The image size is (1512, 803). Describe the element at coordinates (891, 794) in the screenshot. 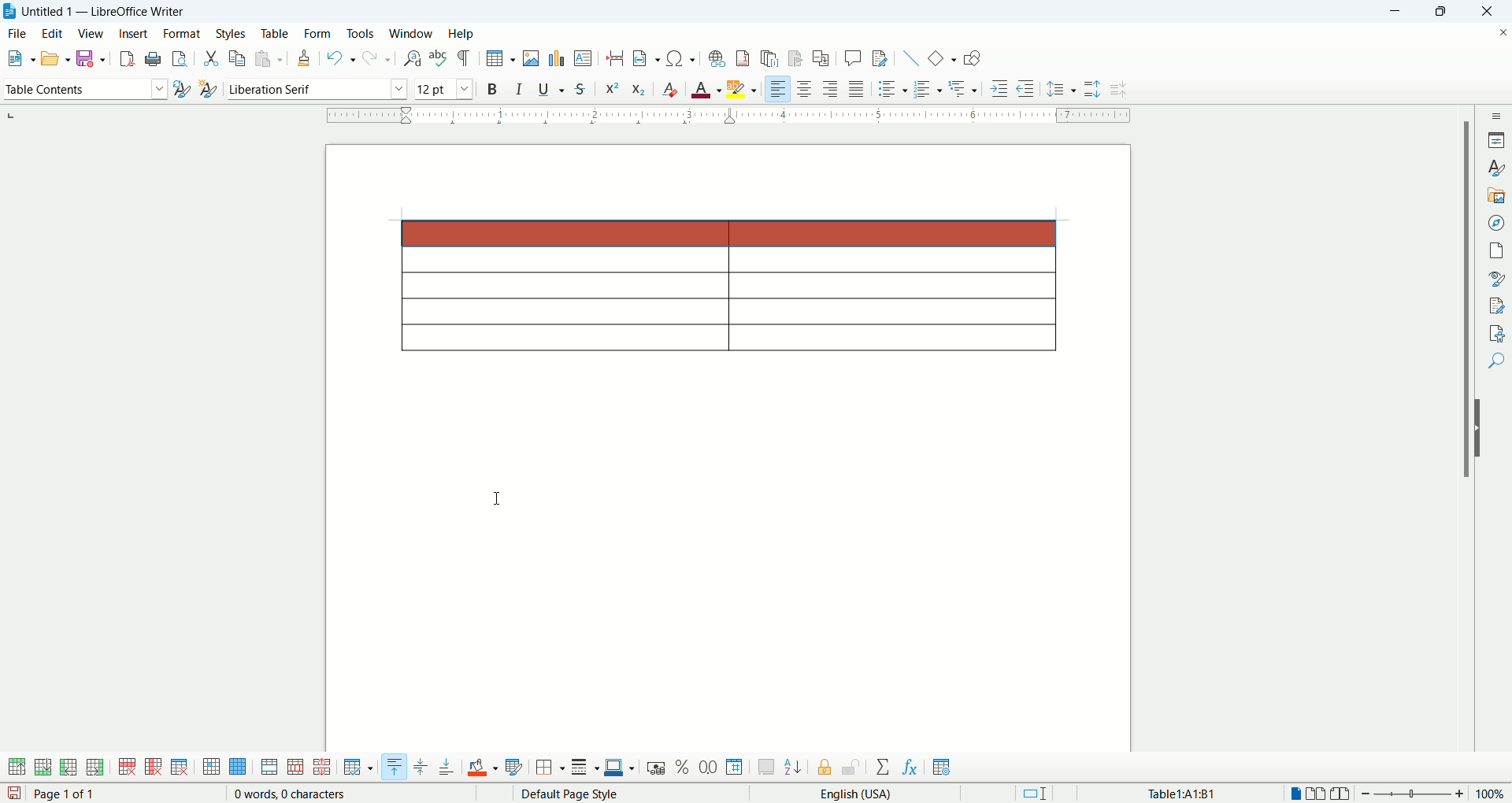

I see `english` at that location.